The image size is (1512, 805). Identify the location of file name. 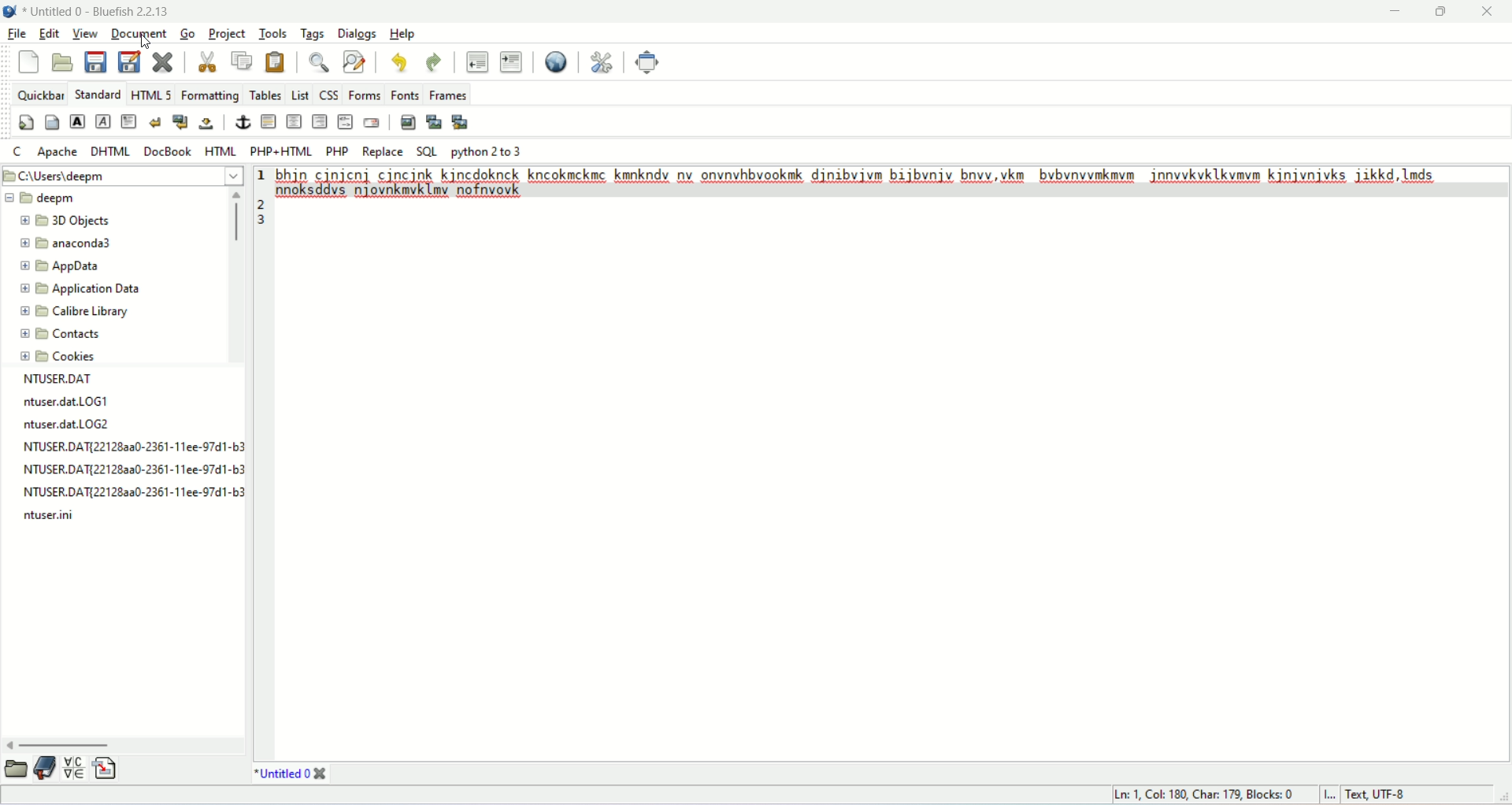
(89, 403).